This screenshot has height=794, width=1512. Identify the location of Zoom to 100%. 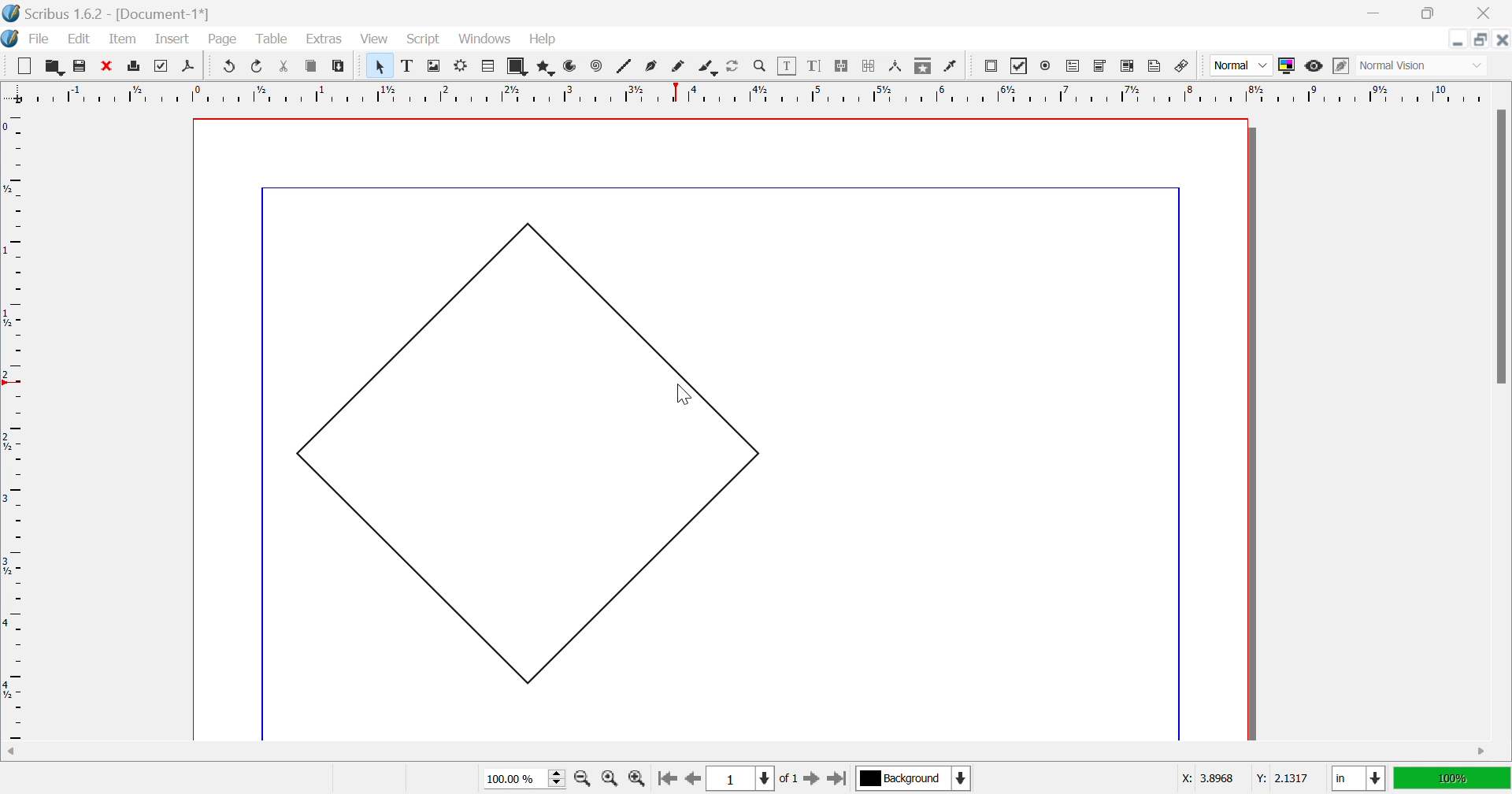
(612, 781).